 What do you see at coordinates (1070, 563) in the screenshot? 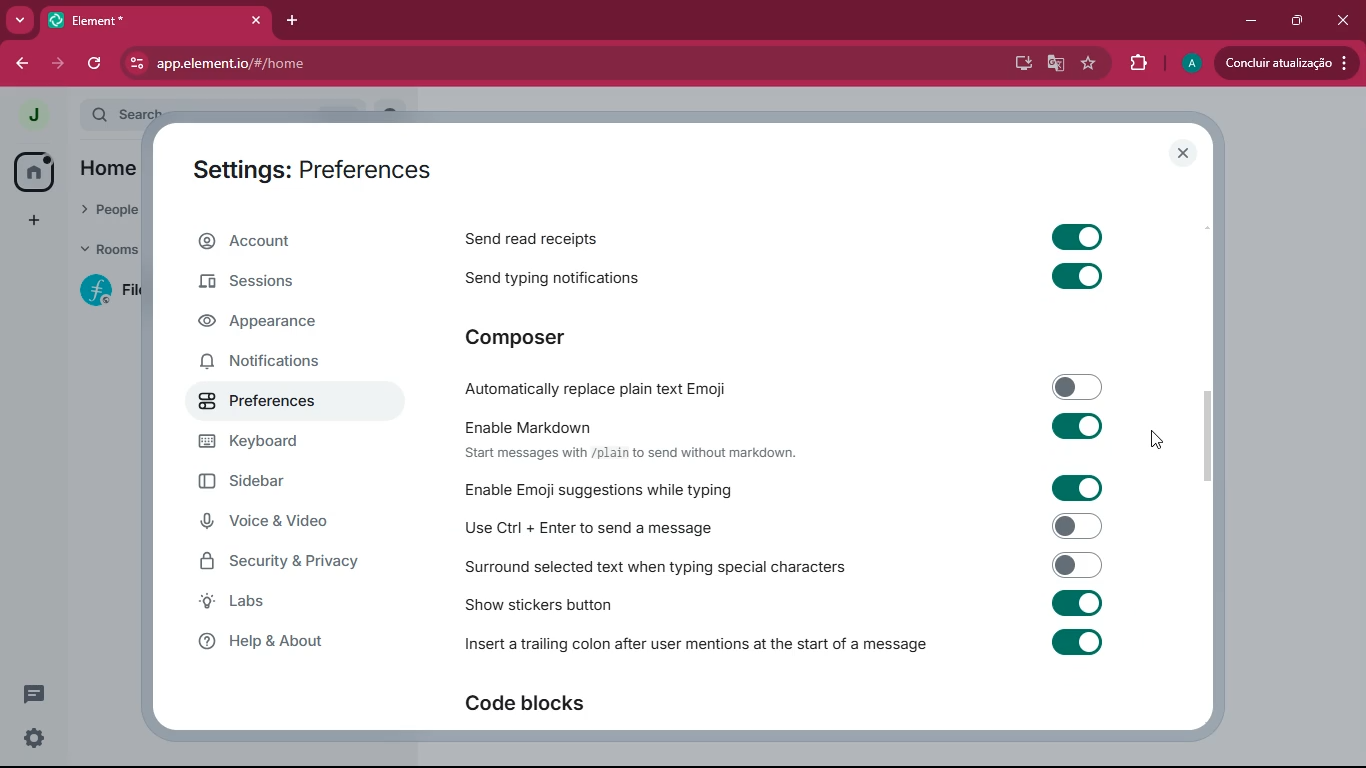
I see `toggle on or off` at bounding box center [1070, 563].